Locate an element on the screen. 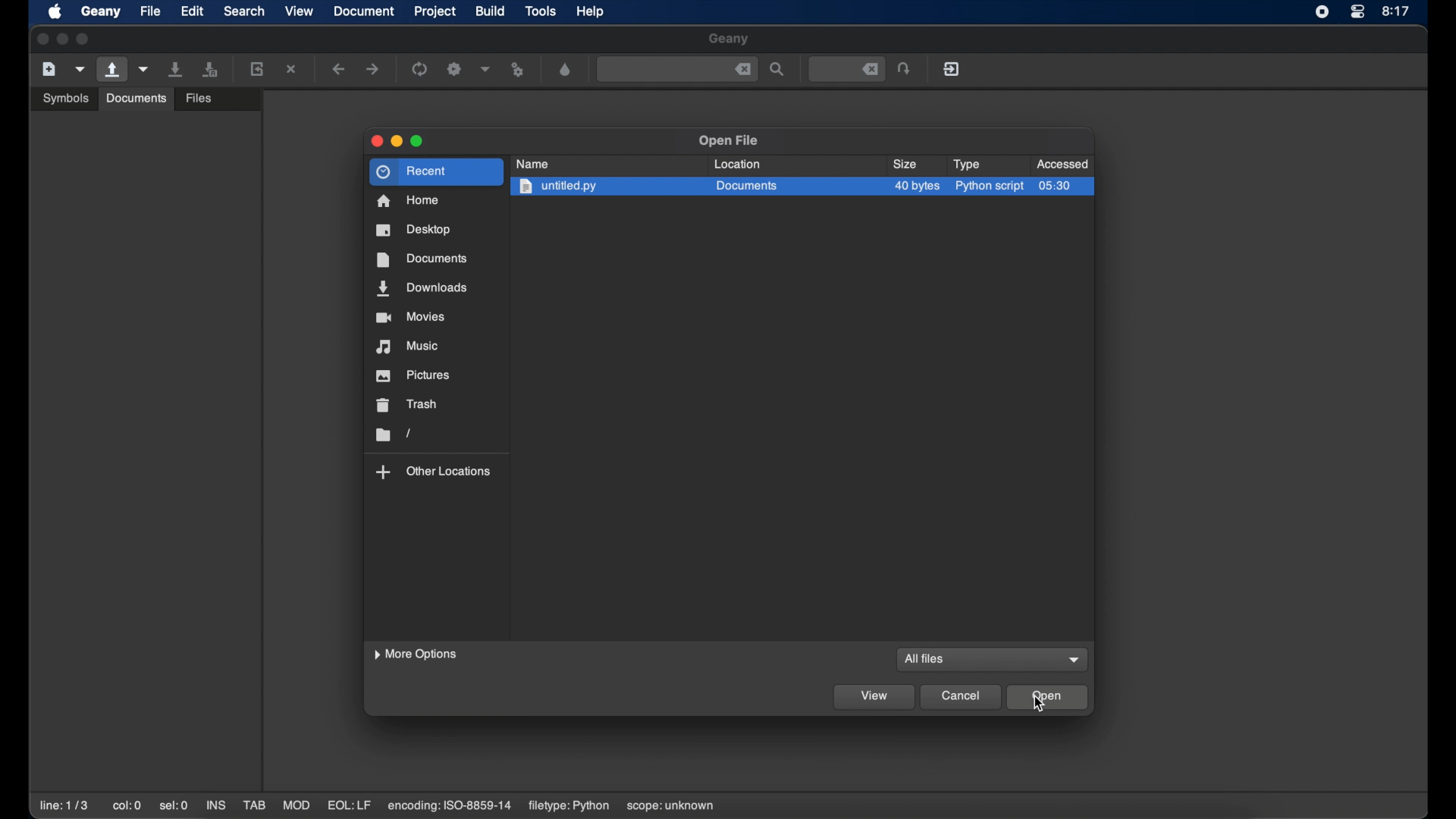 The image size is (1456, 819). open is located at coordinates (1048, 696).